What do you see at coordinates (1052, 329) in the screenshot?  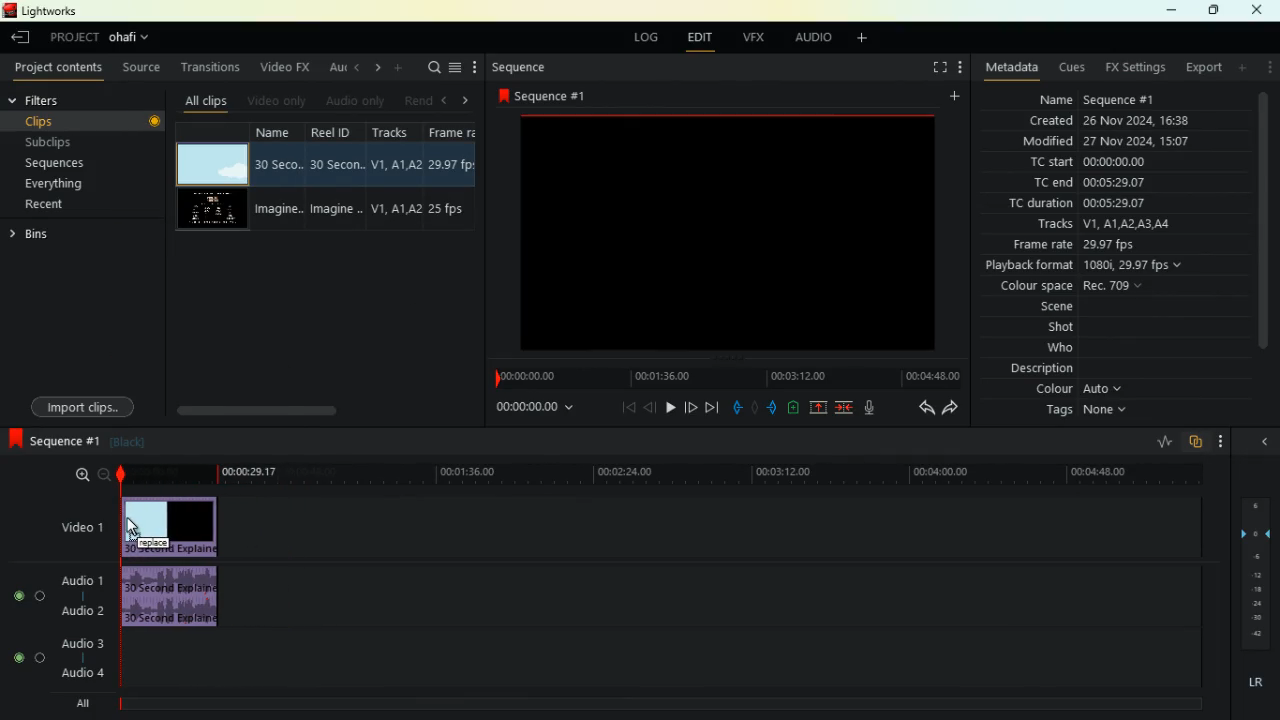 I see `shot` at bounding box center [1052, 329].